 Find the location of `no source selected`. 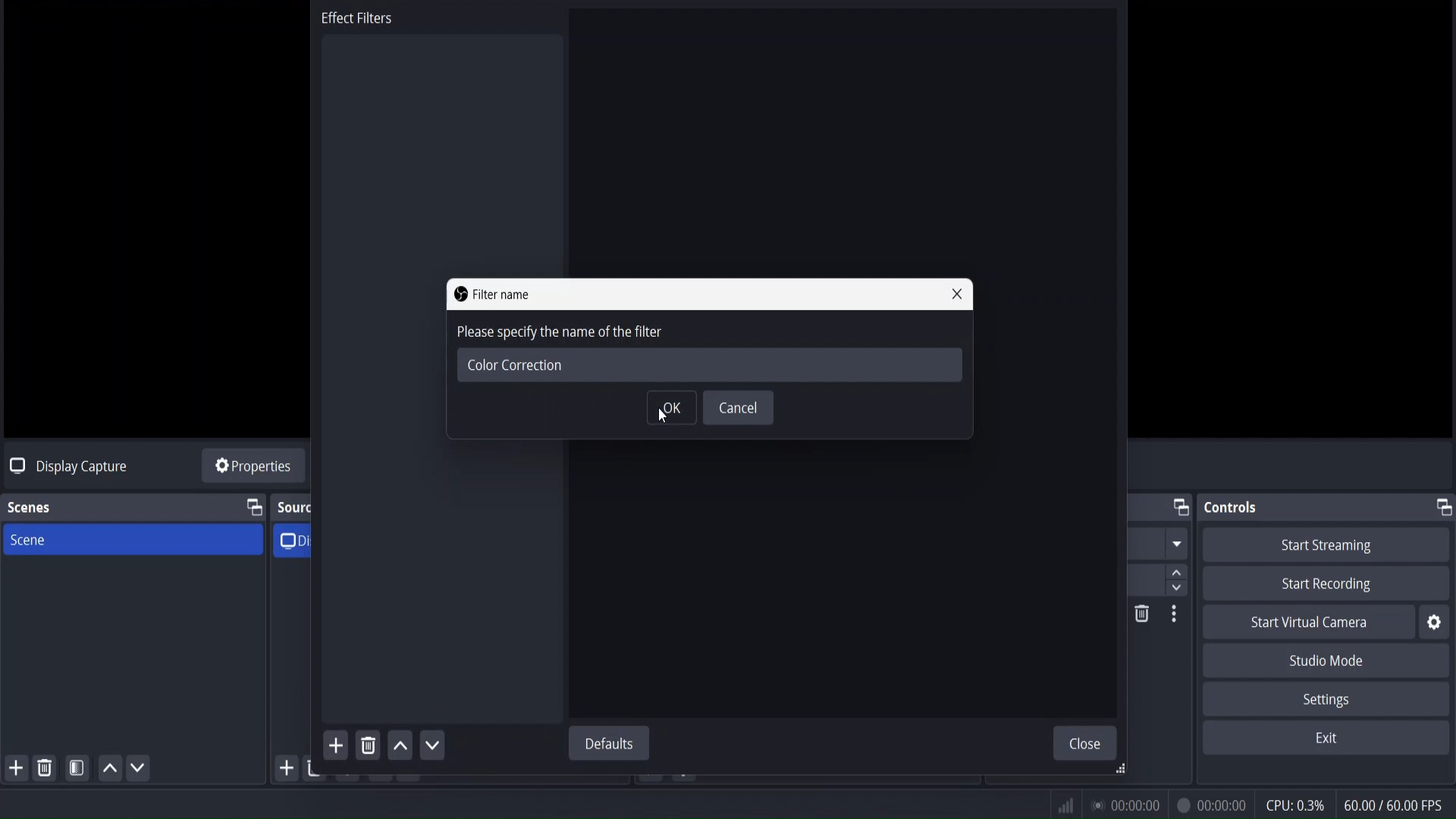

no source selected is located at coordinates (65, 465).